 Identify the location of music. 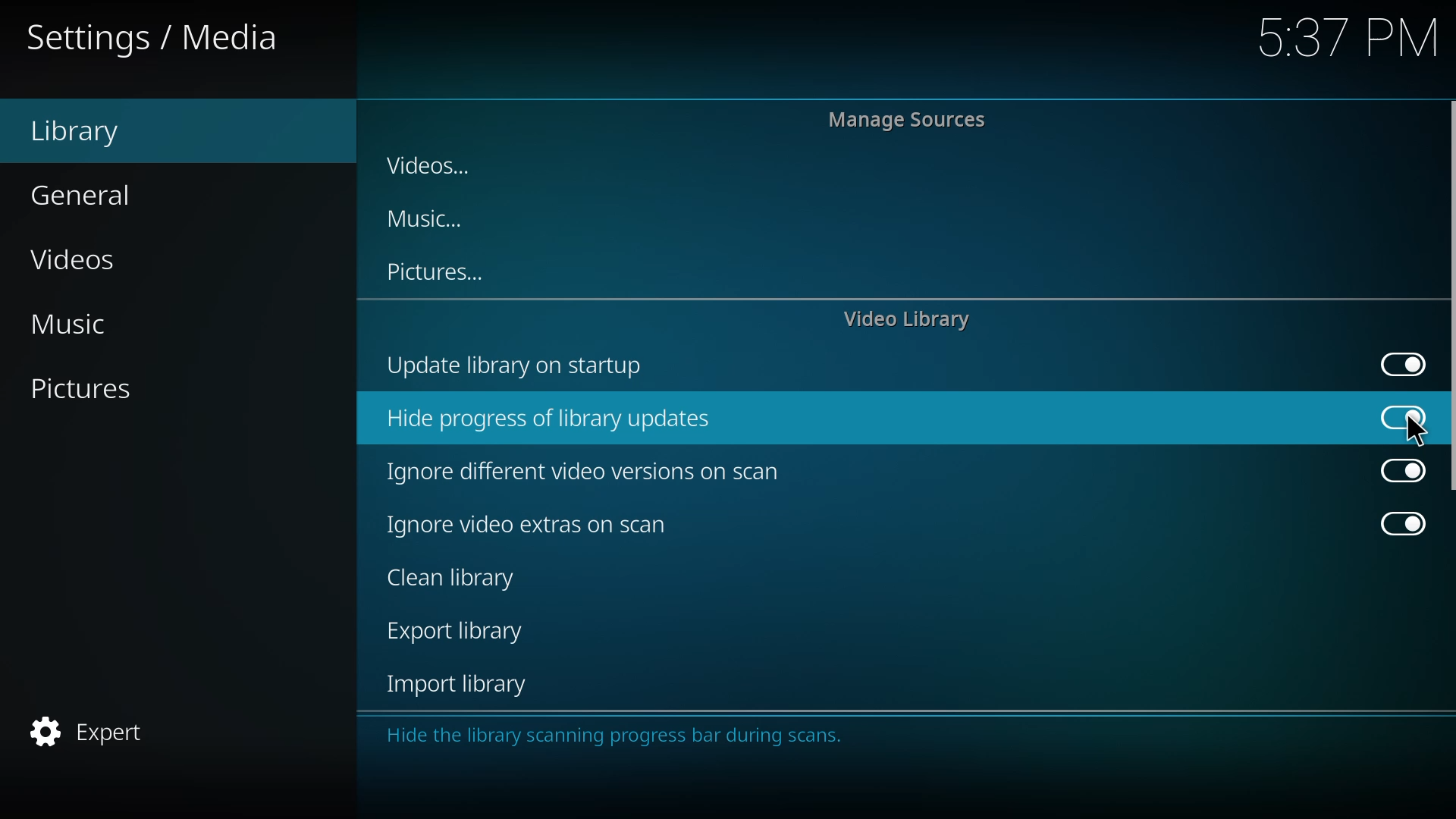
(79, 326).